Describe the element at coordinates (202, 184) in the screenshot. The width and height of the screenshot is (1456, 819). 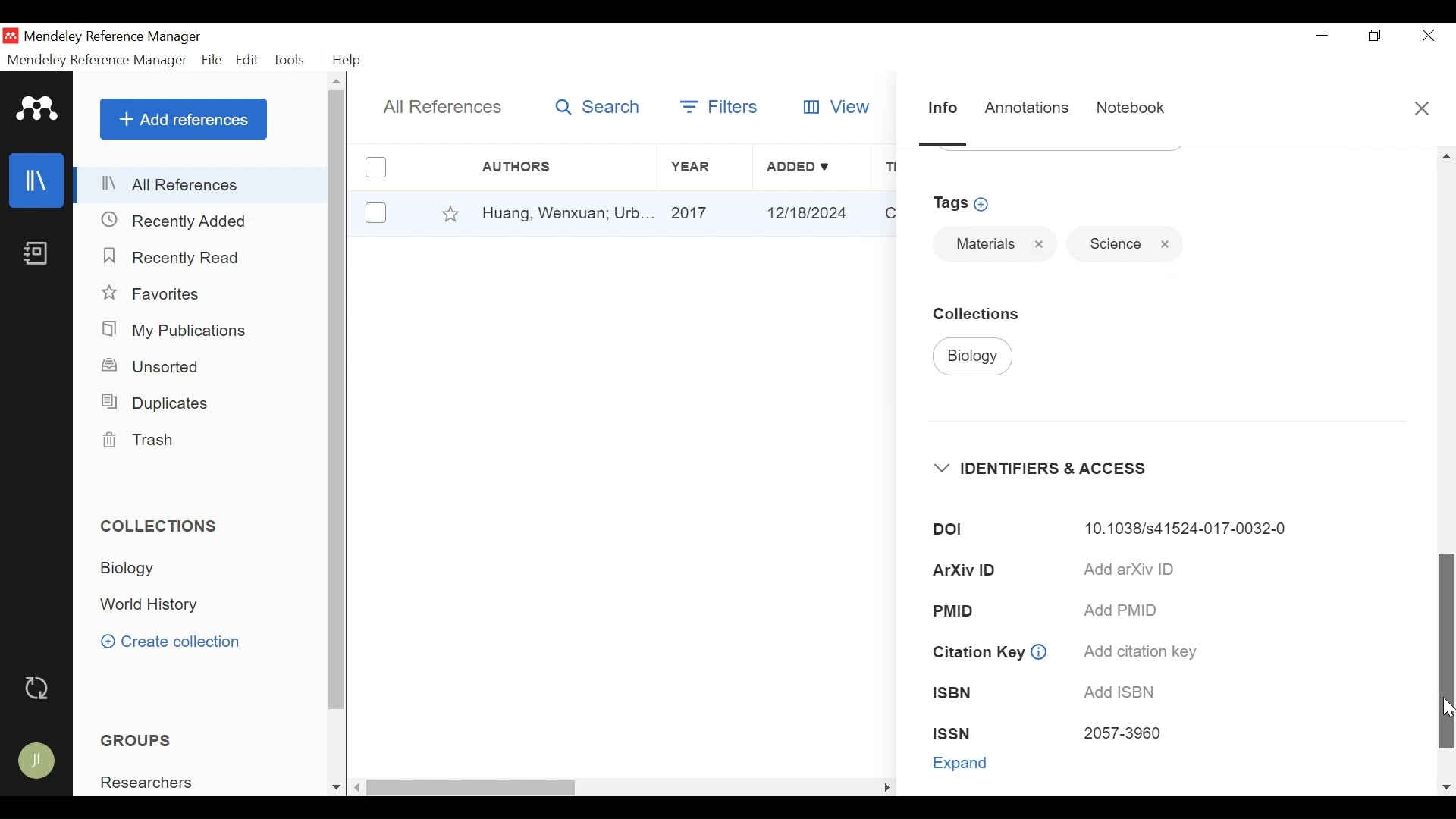
I see `All References` at that location.